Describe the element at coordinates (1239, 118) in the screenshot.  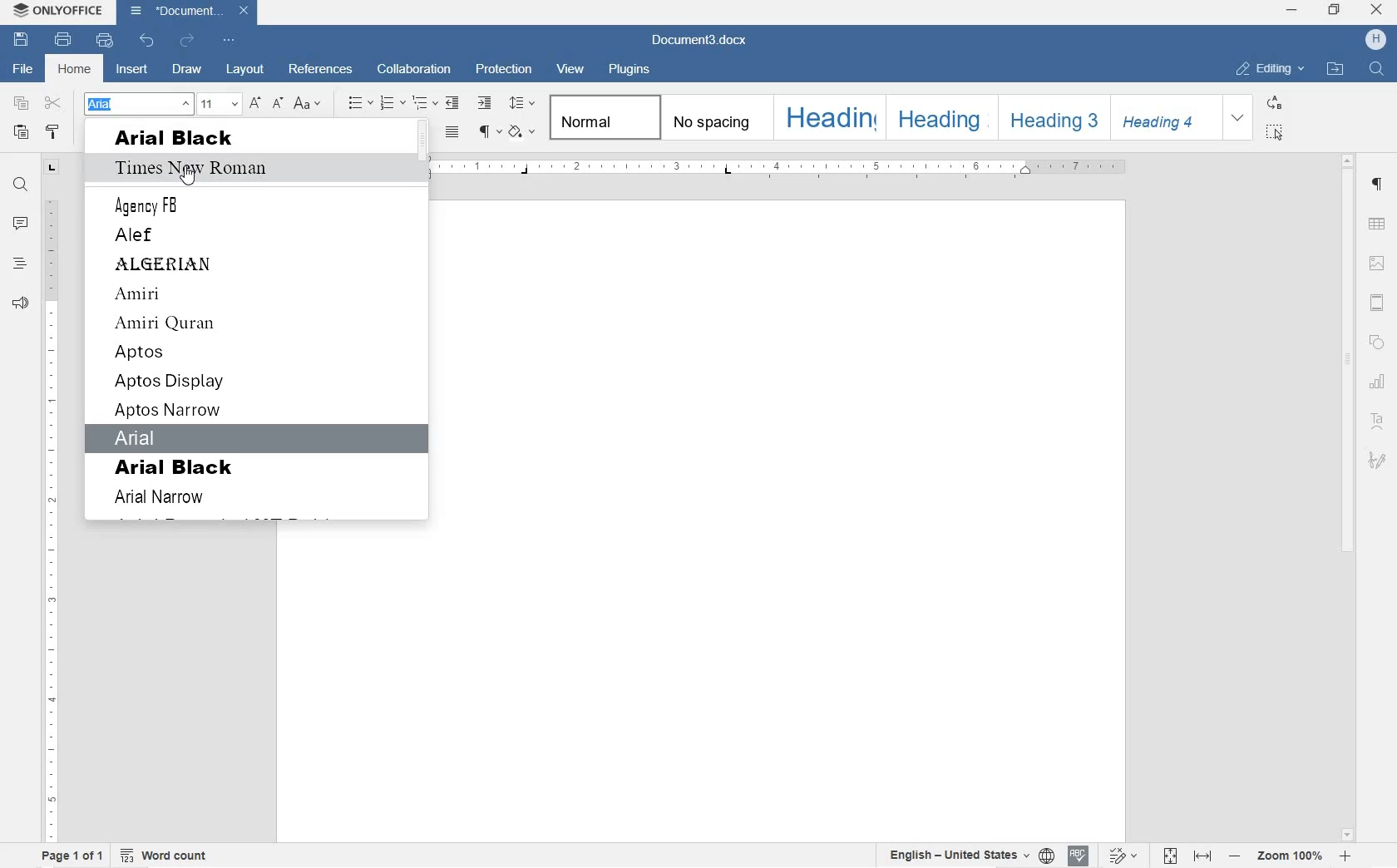
I see `EXPAND FORMATTING STYLE` at that location.